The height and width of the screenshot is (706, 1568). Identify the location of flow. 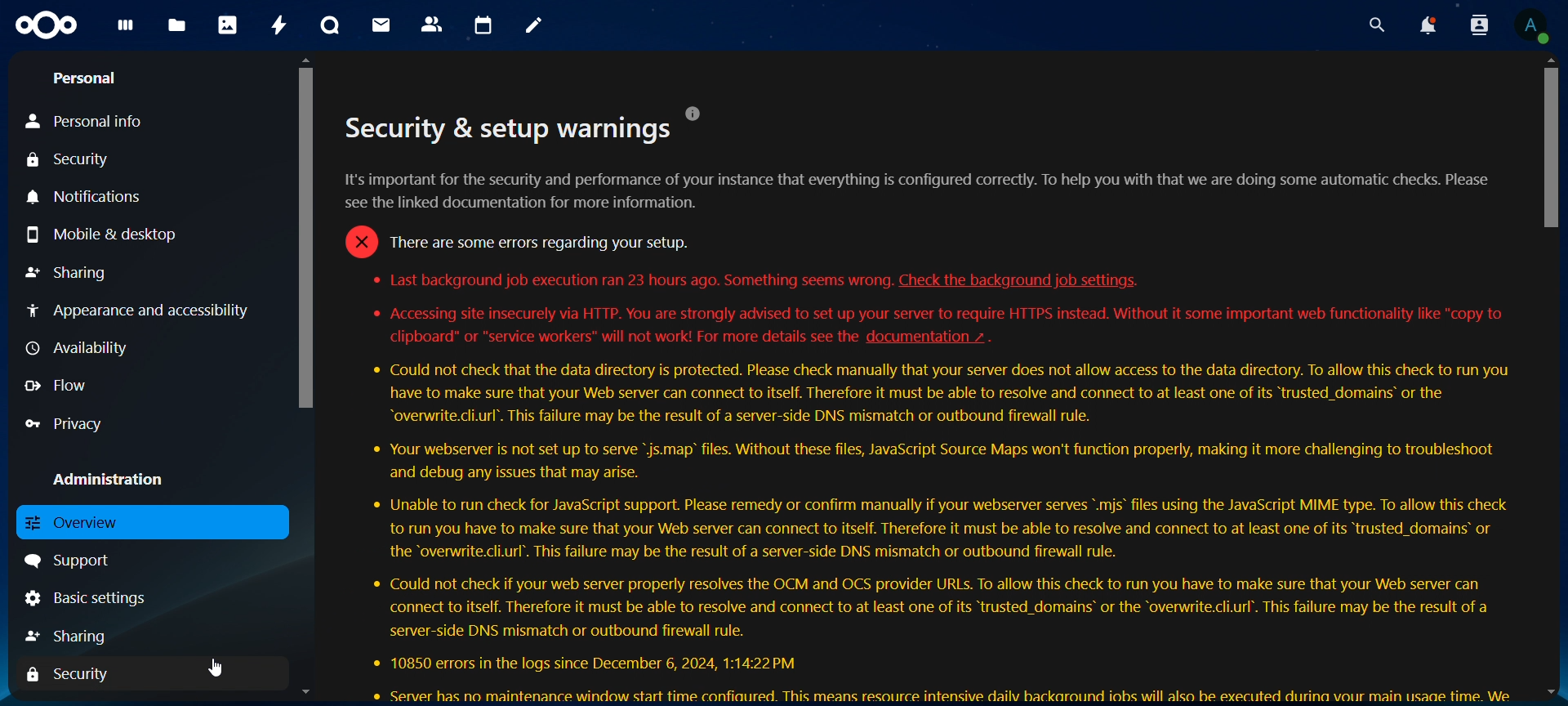
(56, 387).